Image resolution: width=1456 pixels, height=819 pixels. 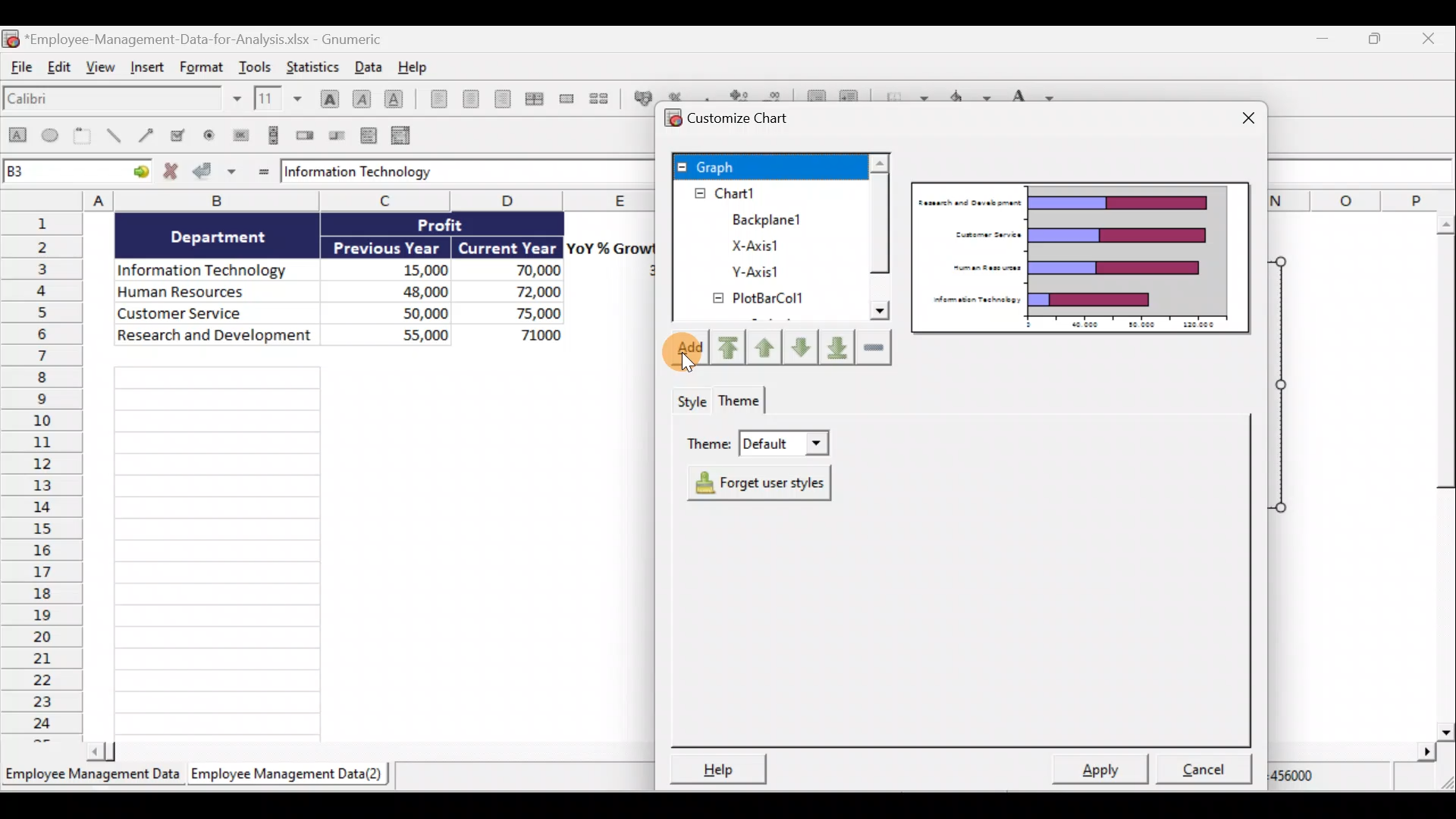 I want to click on Move down, so click(x=802, y=346).